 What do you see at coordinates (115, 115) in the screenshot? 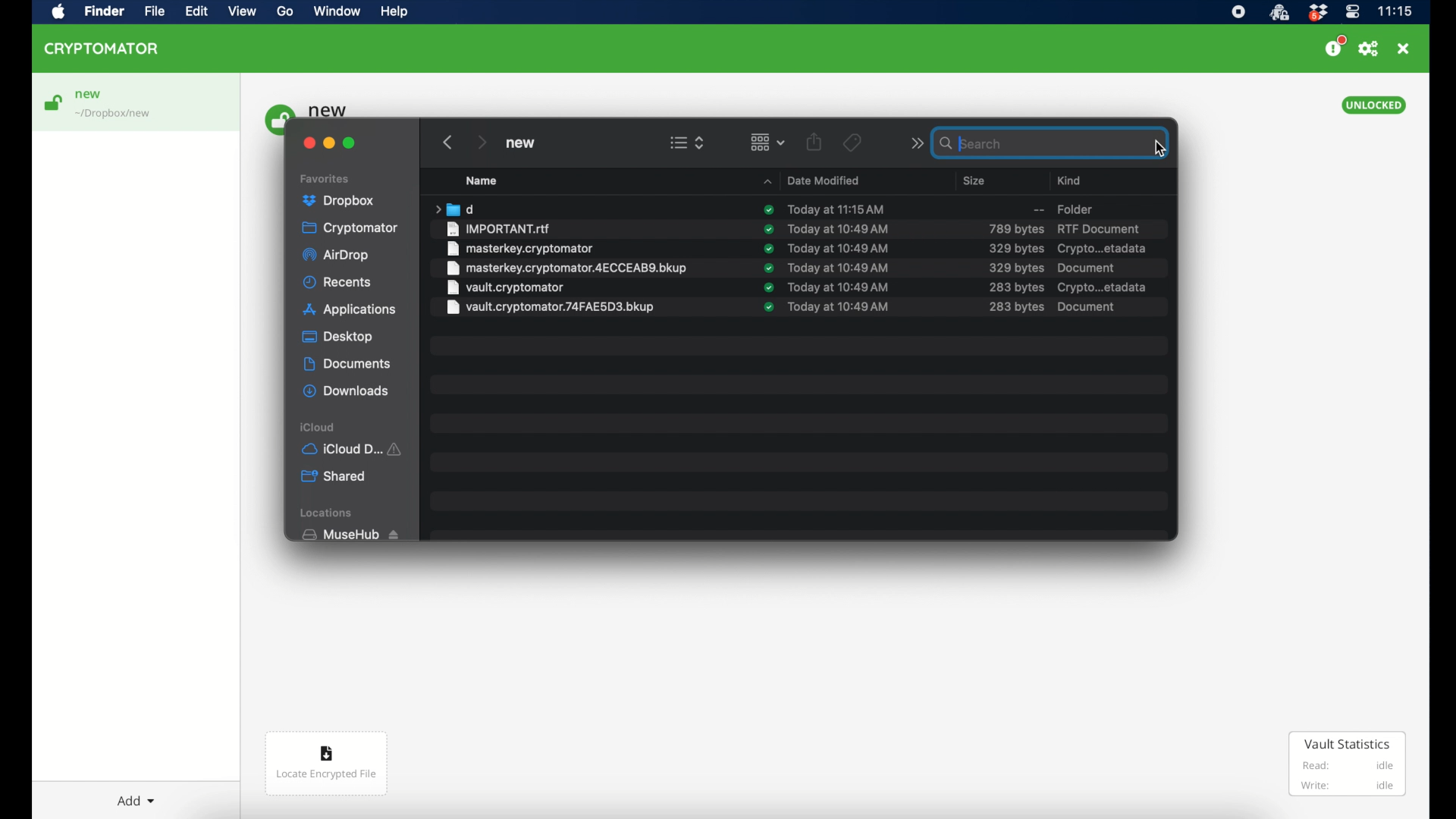
I see `location` at bounding box center [115, 115].